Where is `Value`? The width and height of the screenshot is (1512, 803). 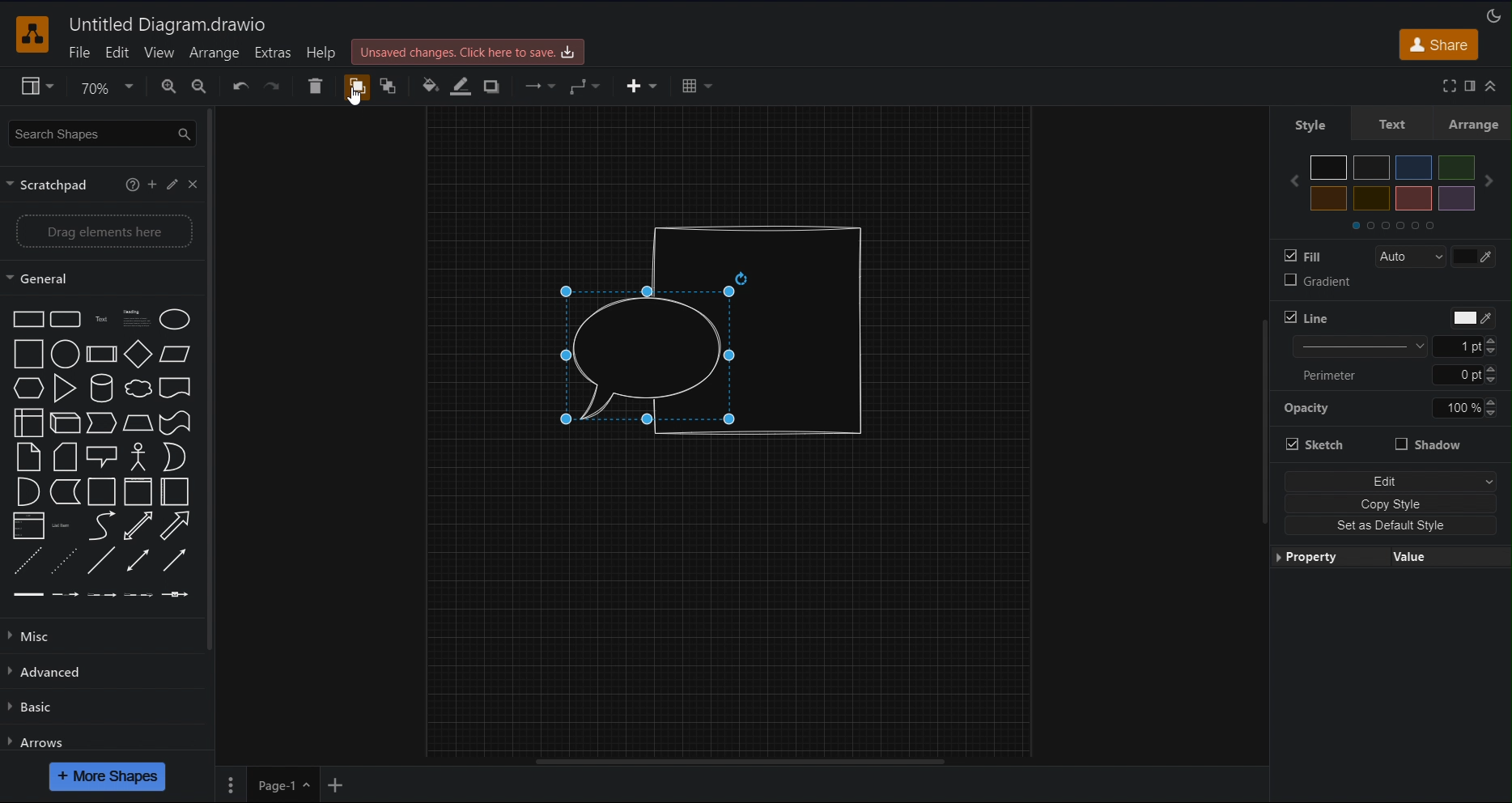 Value is located at coordinates (1450, 557).